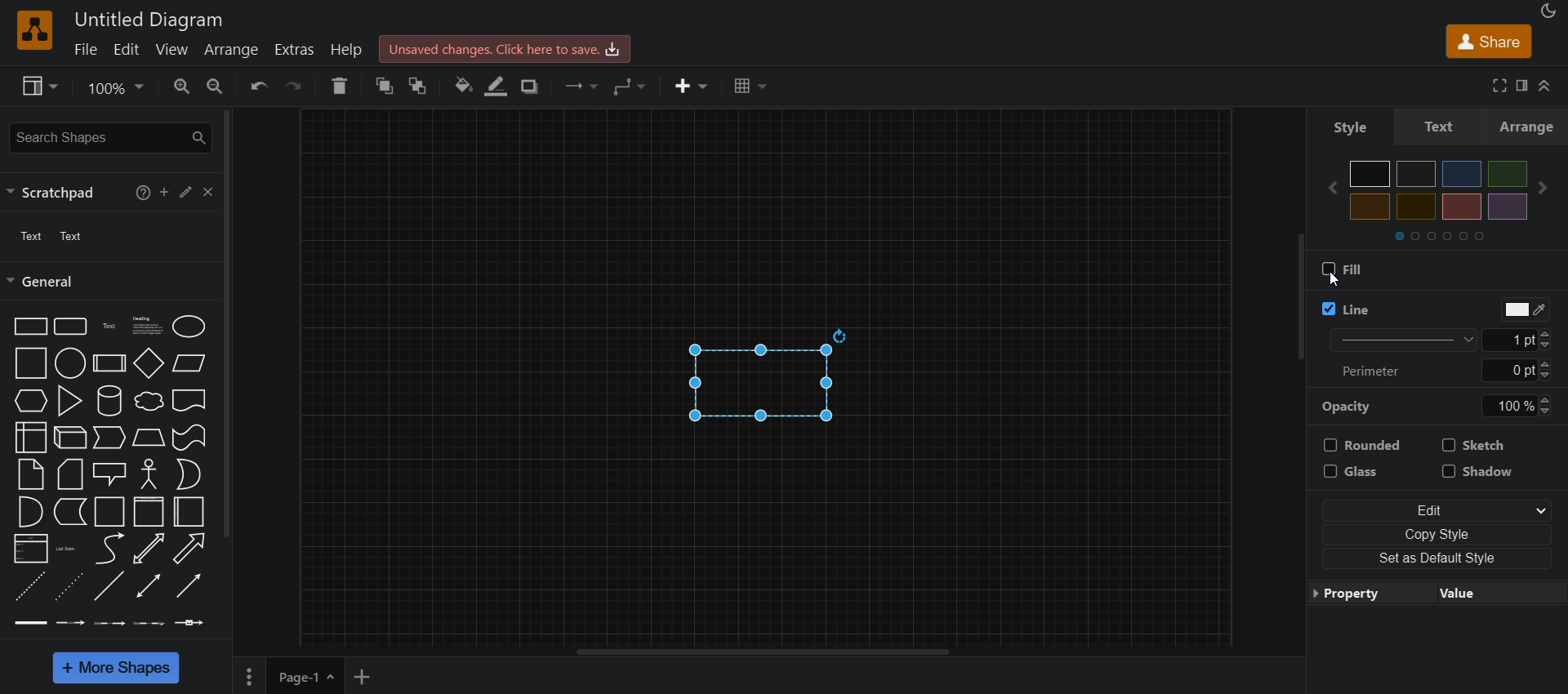  I want to click on add page, so click(364, 675).